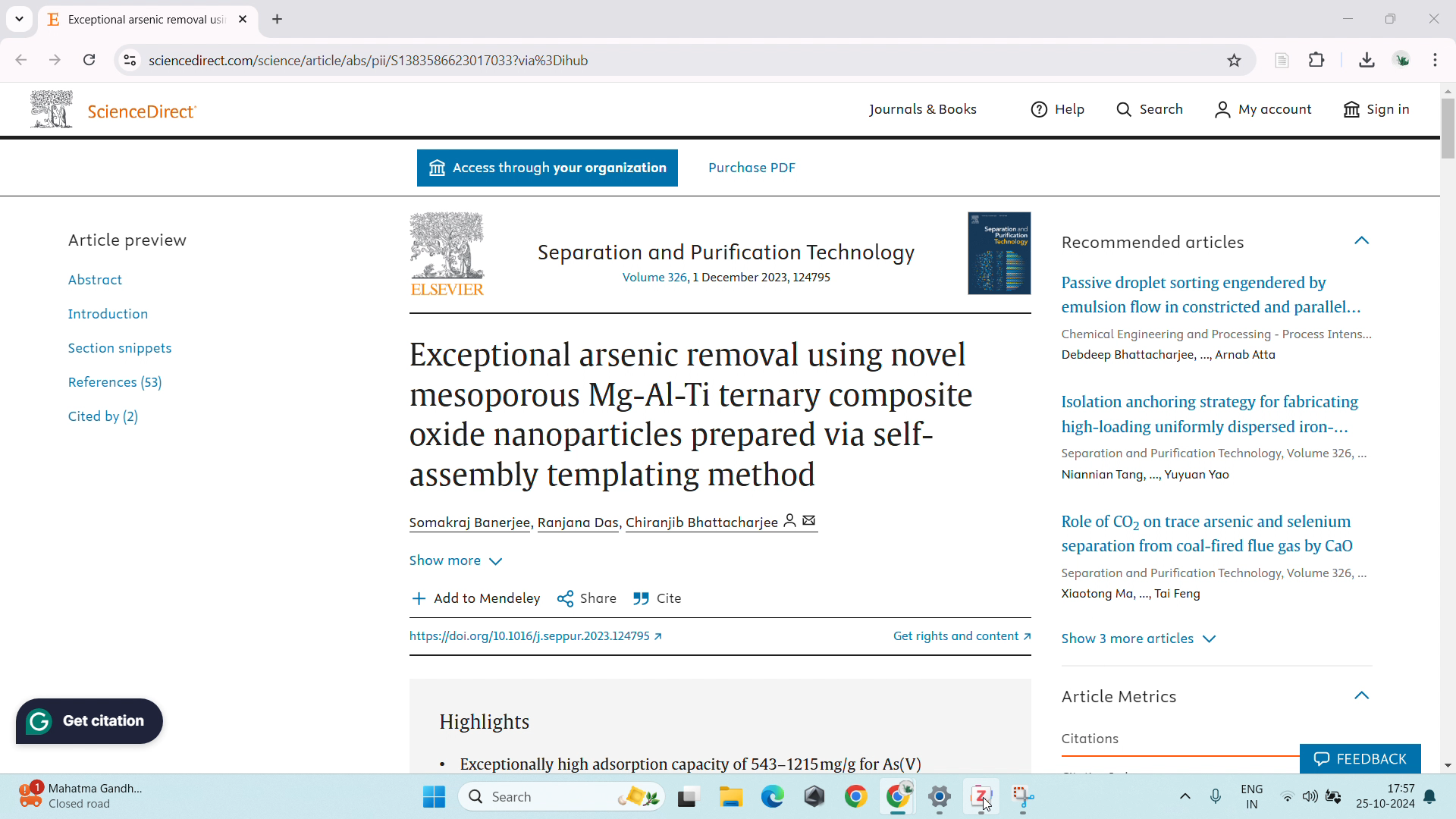 The image size is (1456, 819). I want to click on ELSEVIER, so click(447, 291).